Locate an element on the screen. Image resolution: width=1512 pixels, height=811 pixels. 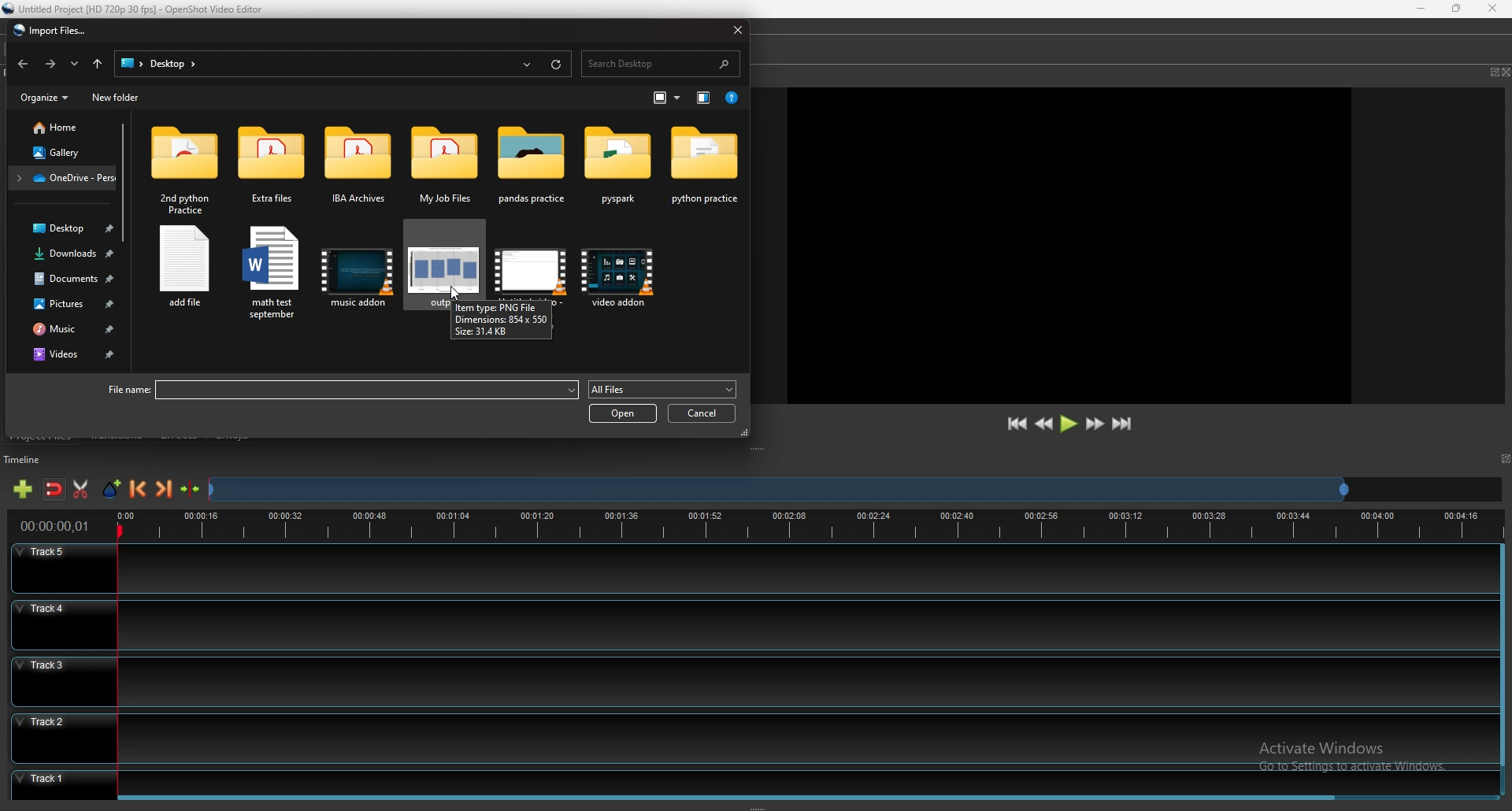
recent is located at coordinates (528, 65).